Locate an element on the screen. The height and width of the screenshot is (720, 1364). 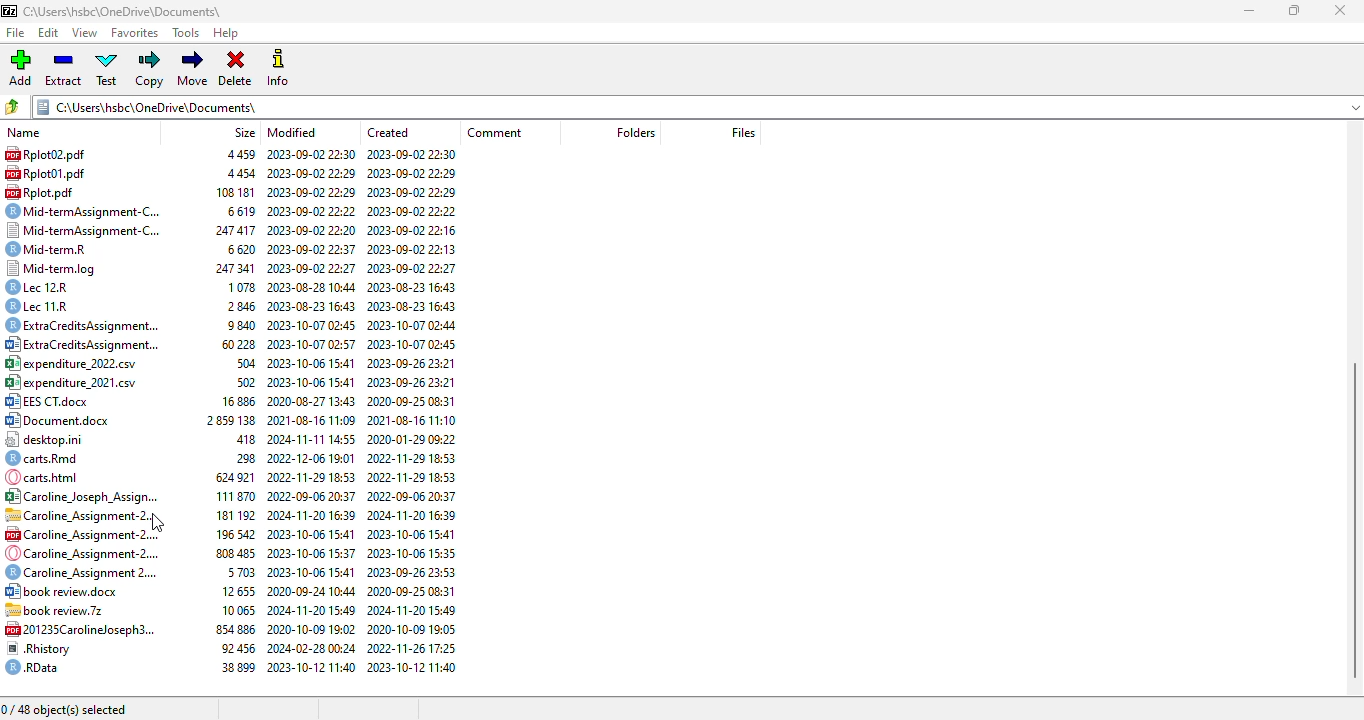
247417 is located at coordinates (237, 229).